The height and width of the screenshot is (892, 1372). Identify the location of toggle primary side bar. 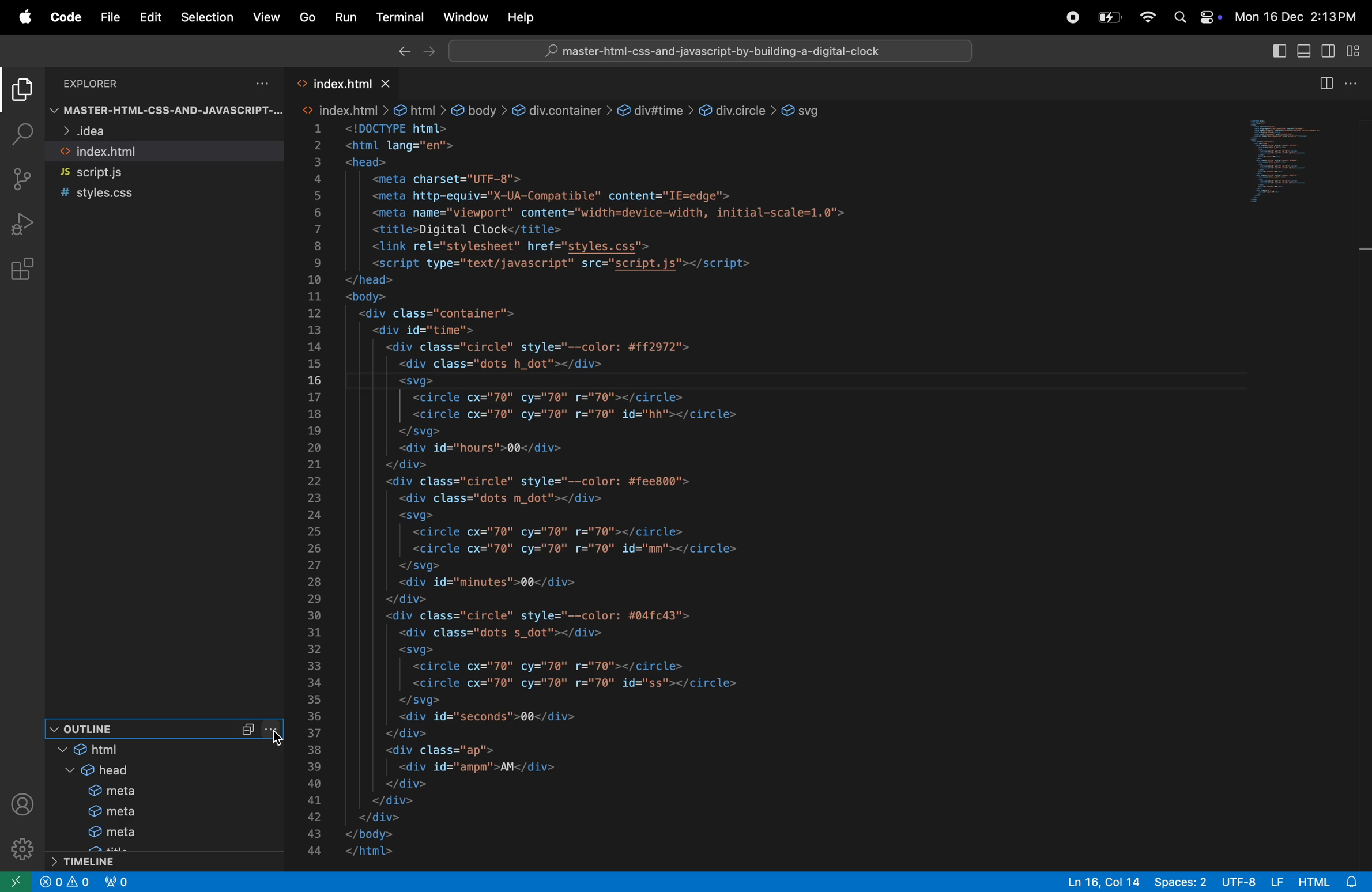
(1278, 50).